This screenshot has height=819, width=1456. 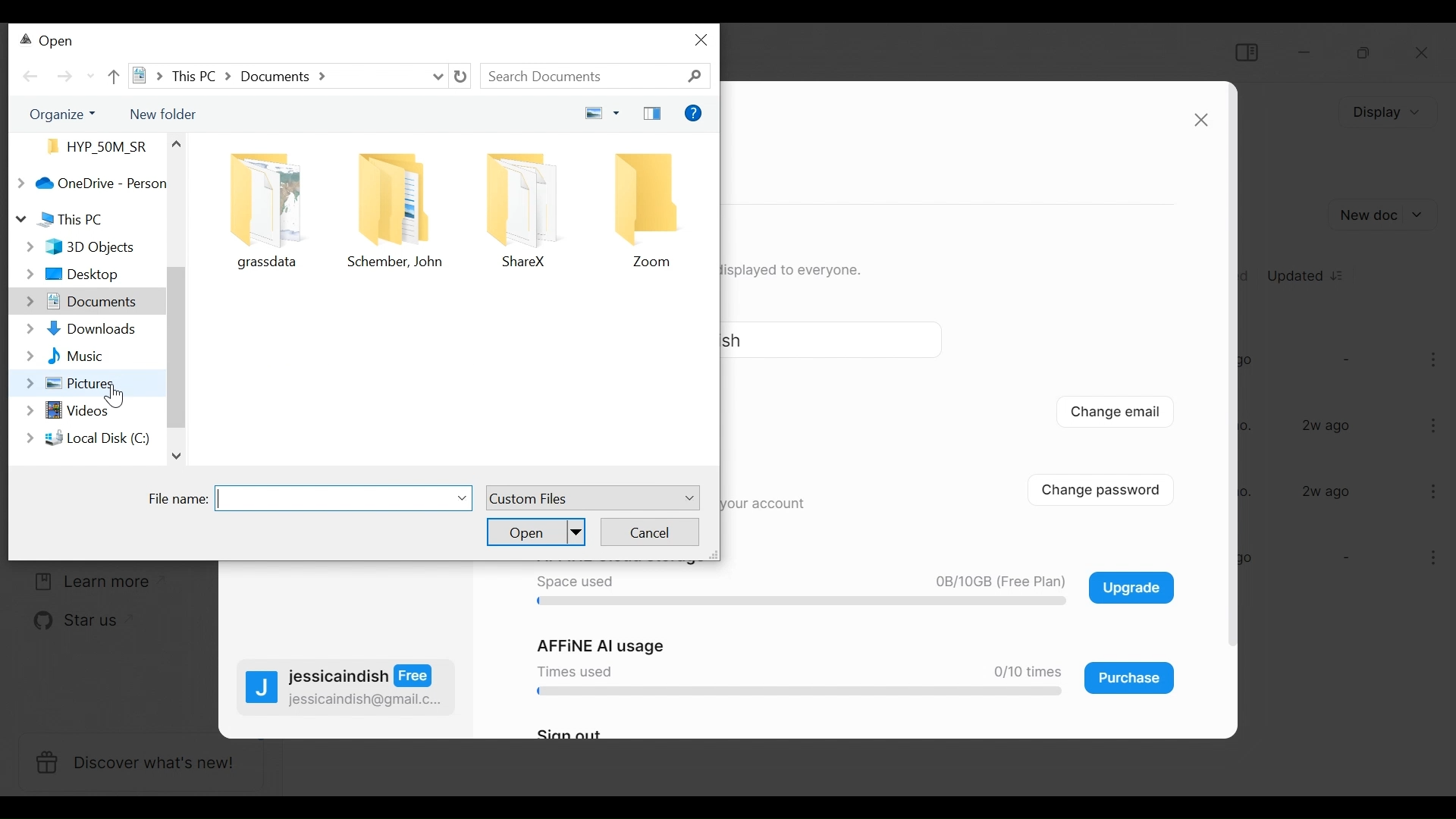 What do you see at coordinates (1423, 55) in the screenshot?
I see `Close` at bounding box center [1423, 55].